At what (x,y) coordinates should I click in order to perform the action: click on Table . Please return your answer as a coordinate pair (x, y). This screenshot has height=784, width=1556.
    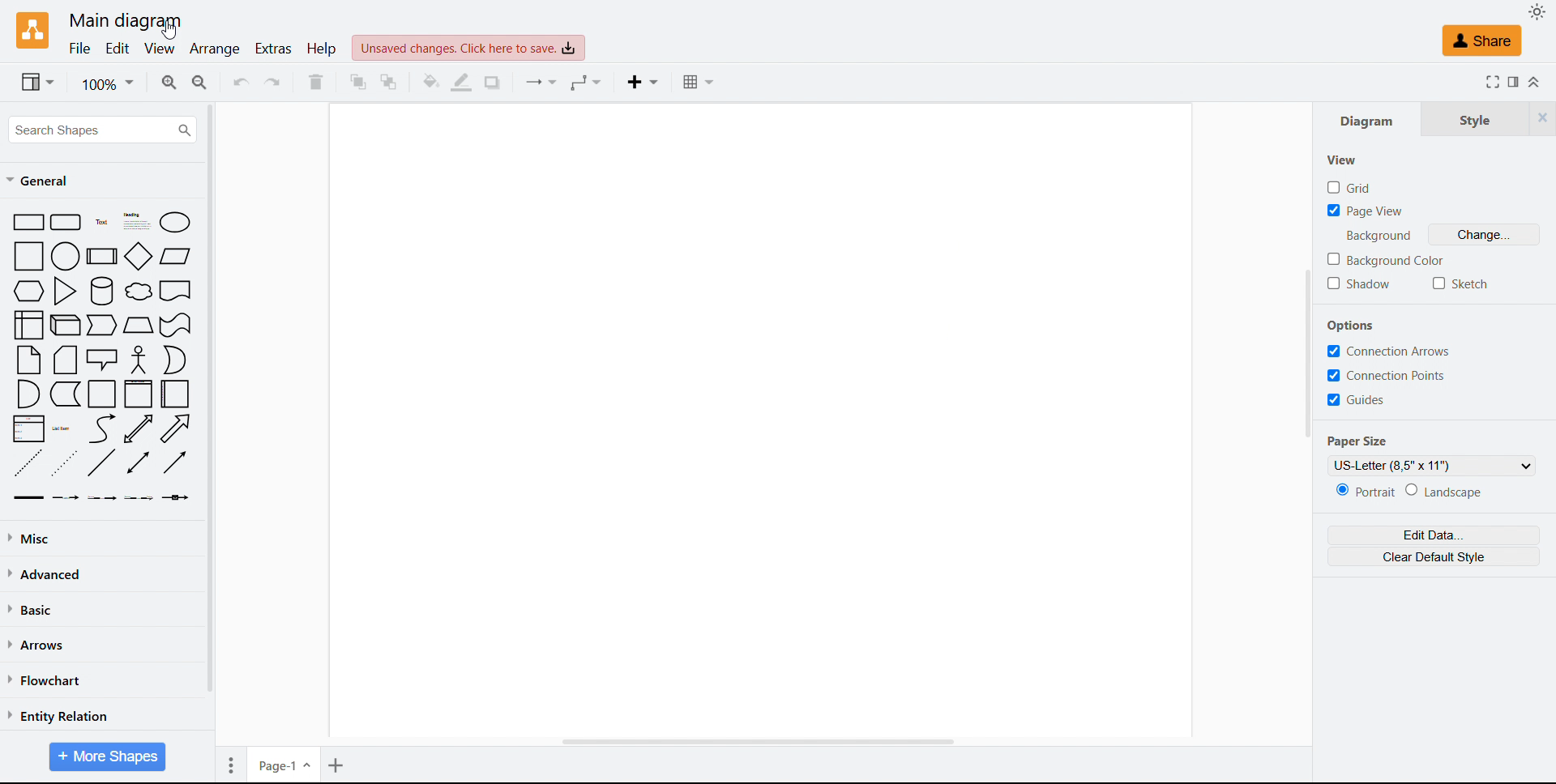
    Looking at the image, I should click on (699, 83).